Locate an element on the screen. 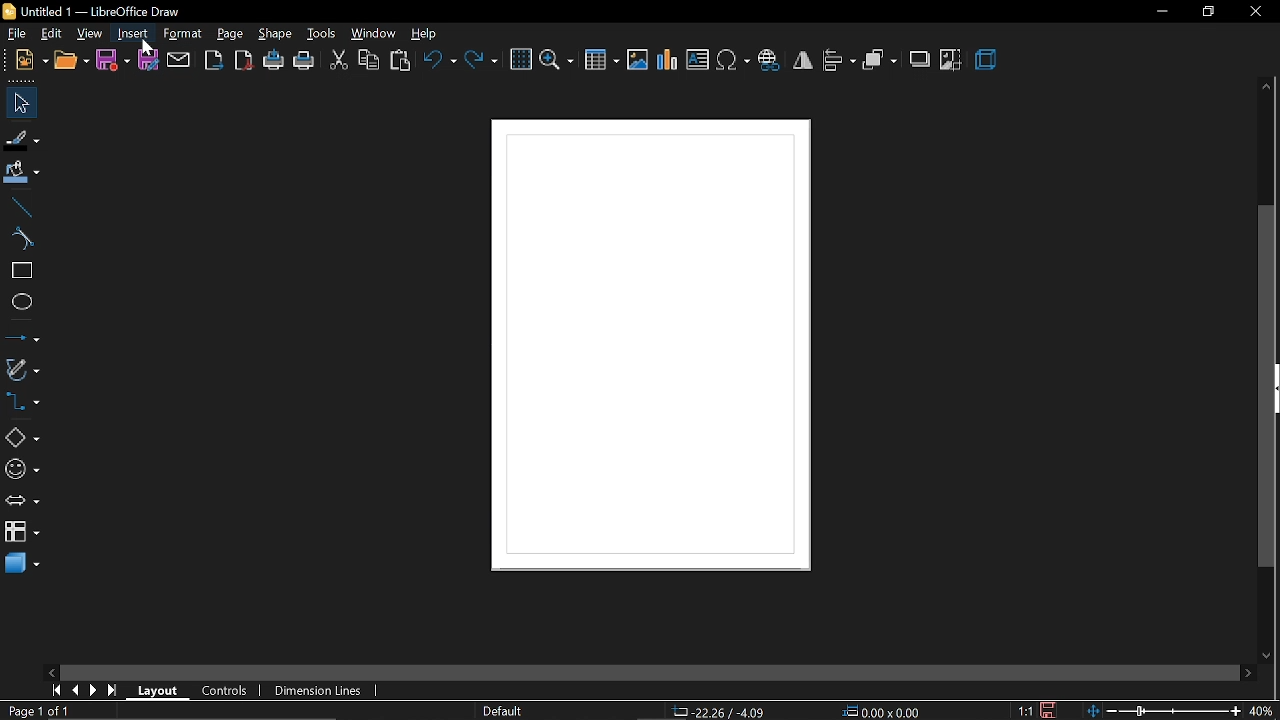 This screenshot has height=720, width=1280. Default is located at coordinates (503, 712).